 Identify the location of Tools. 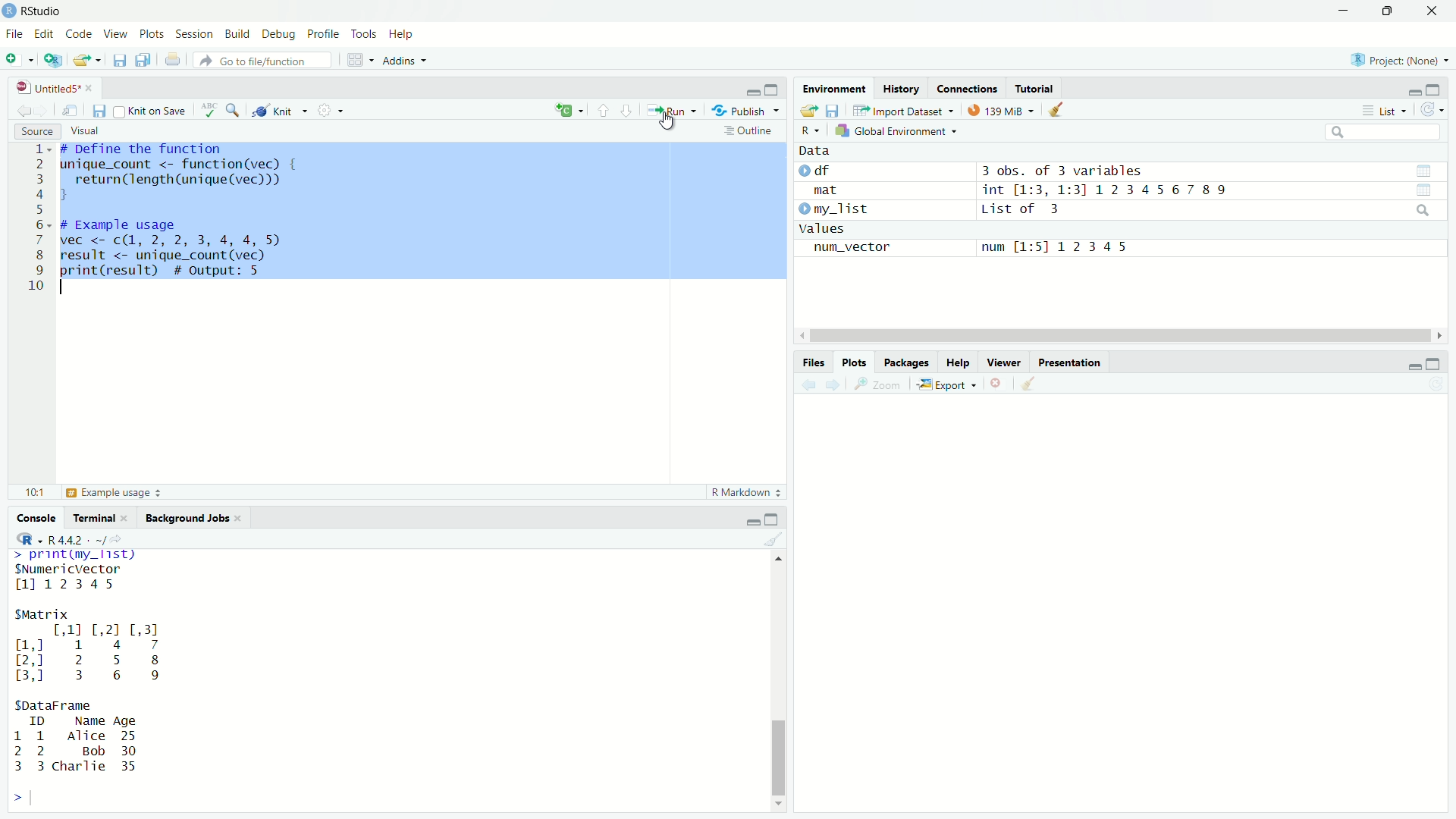
(366, 33).